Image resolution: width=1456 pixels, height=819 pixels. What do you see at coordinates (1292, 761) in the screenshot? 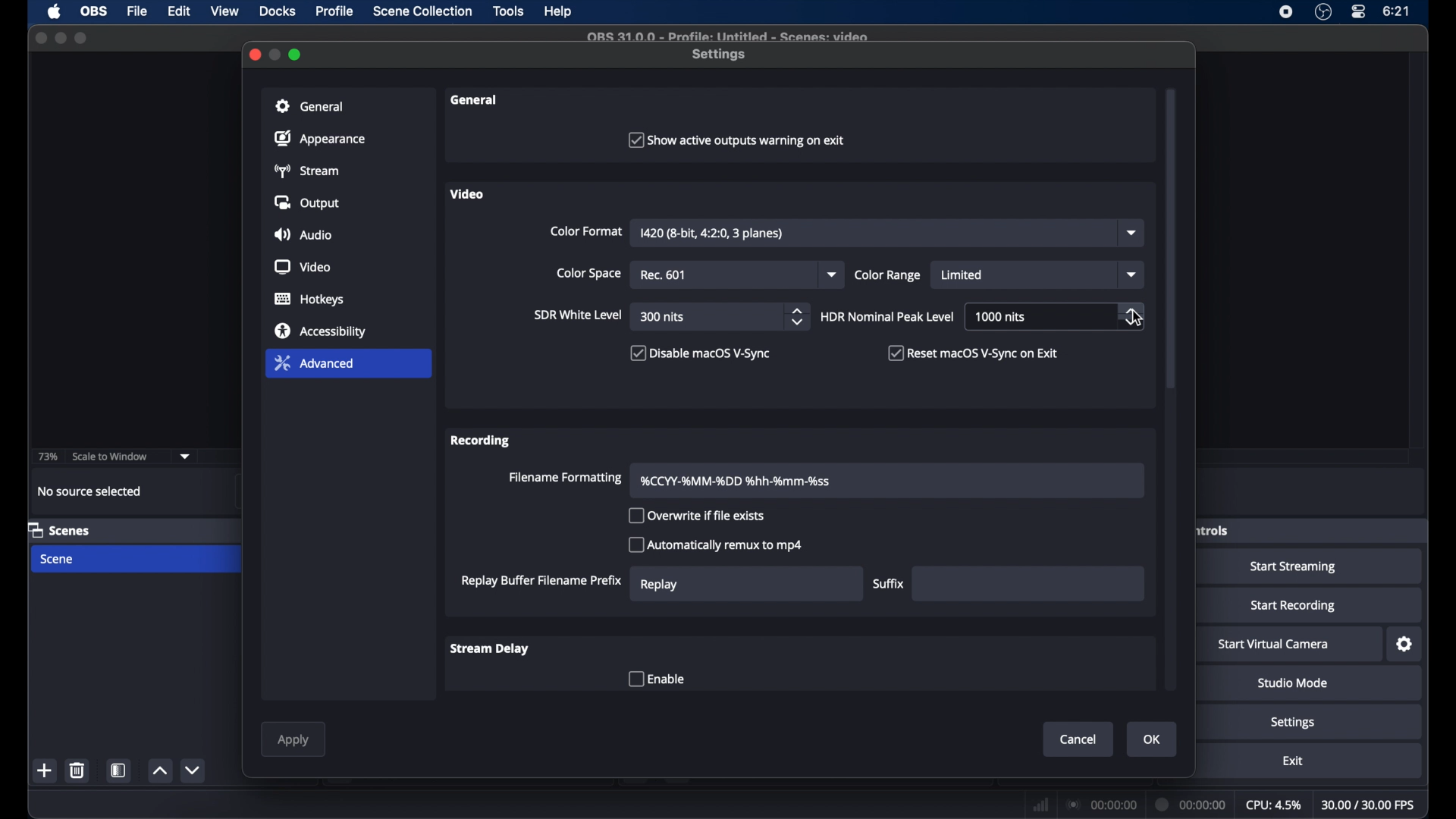
I see `exit` at bounding box center [1292, 761].